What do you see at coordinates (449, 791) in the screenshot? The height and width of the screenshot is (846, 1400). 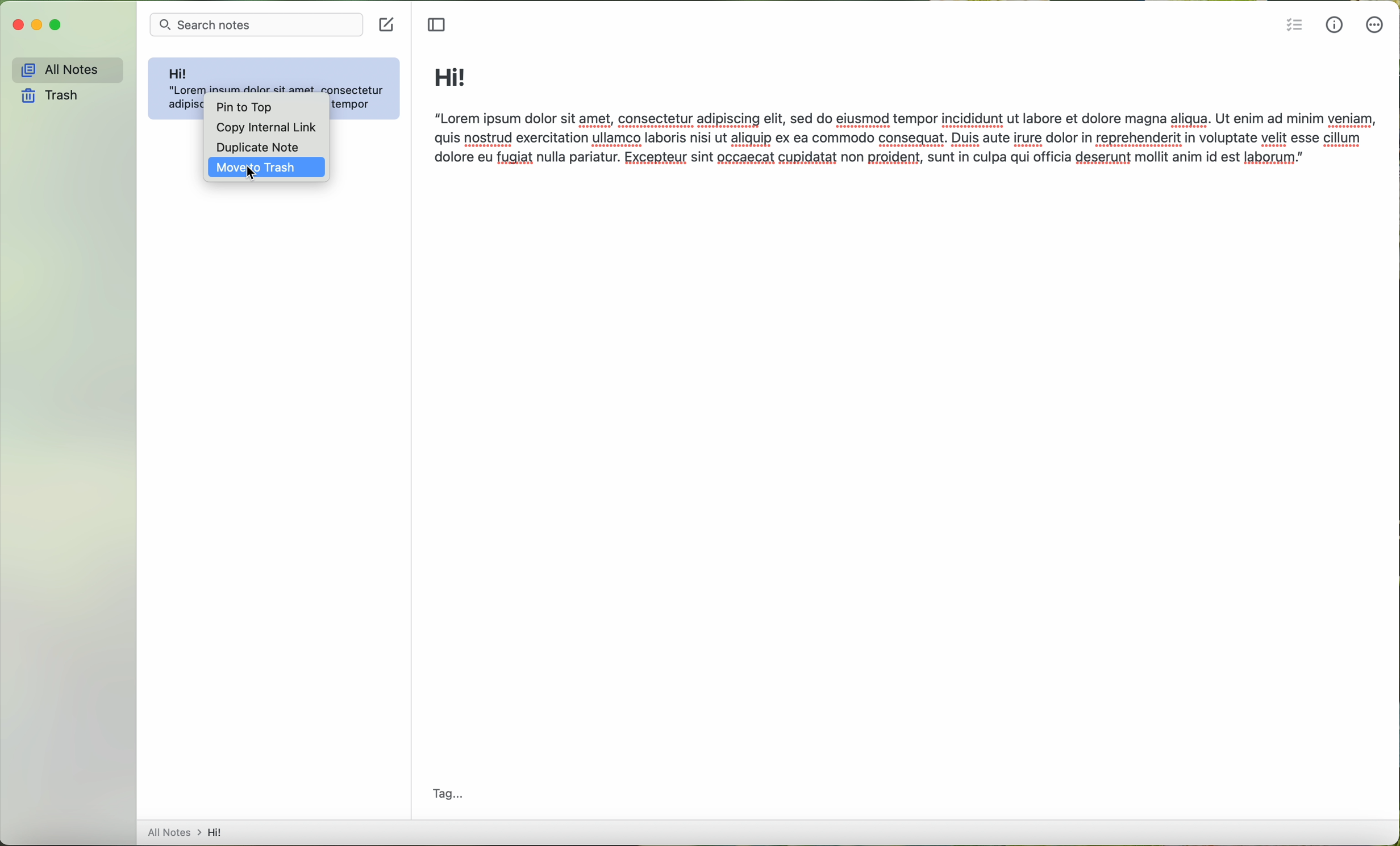 I see `tag` at bounding box center [449, 791].